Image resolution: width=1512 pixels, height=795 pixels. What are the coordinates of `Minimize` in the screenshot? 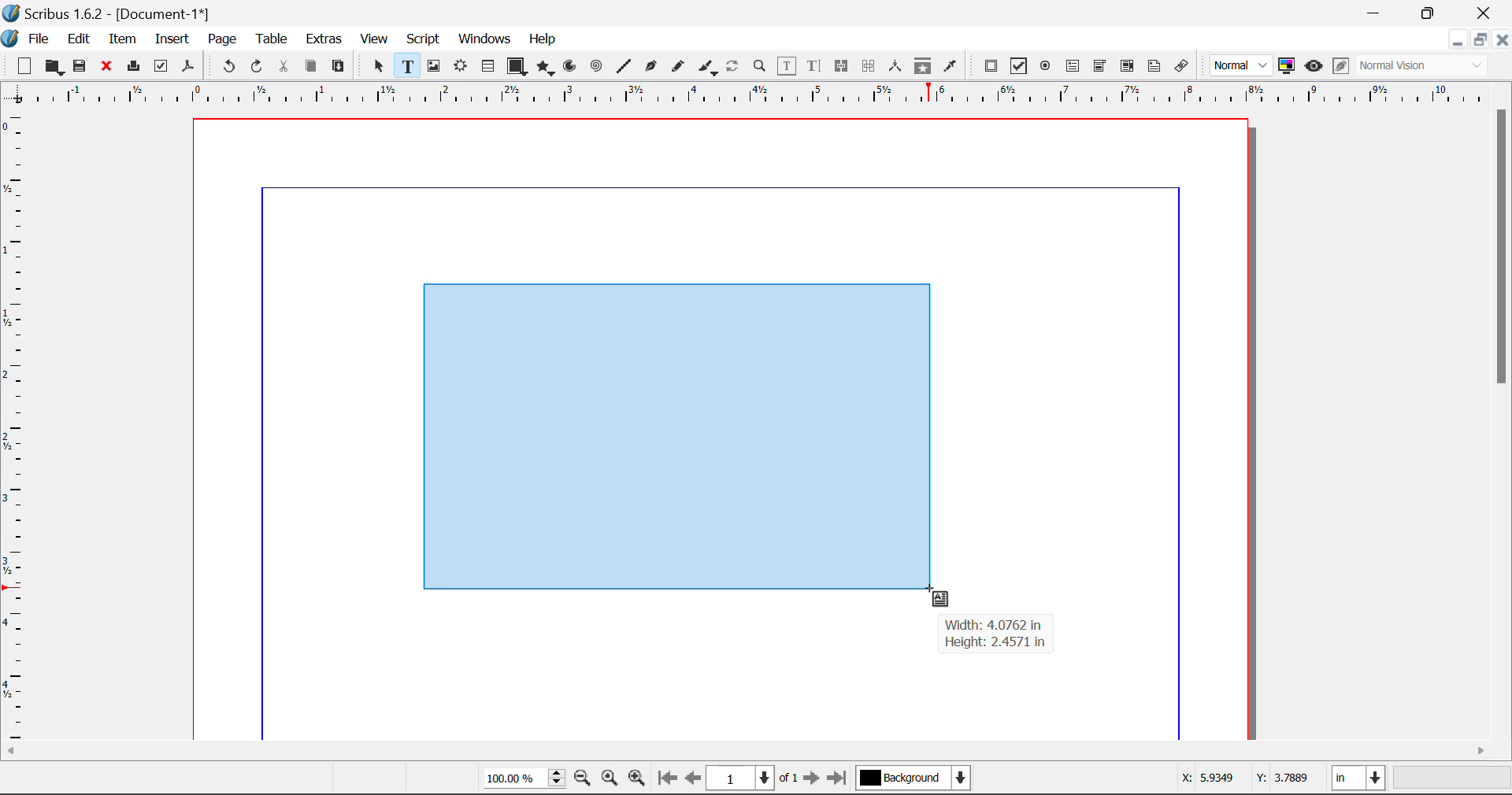 It's located at (1480, 39).